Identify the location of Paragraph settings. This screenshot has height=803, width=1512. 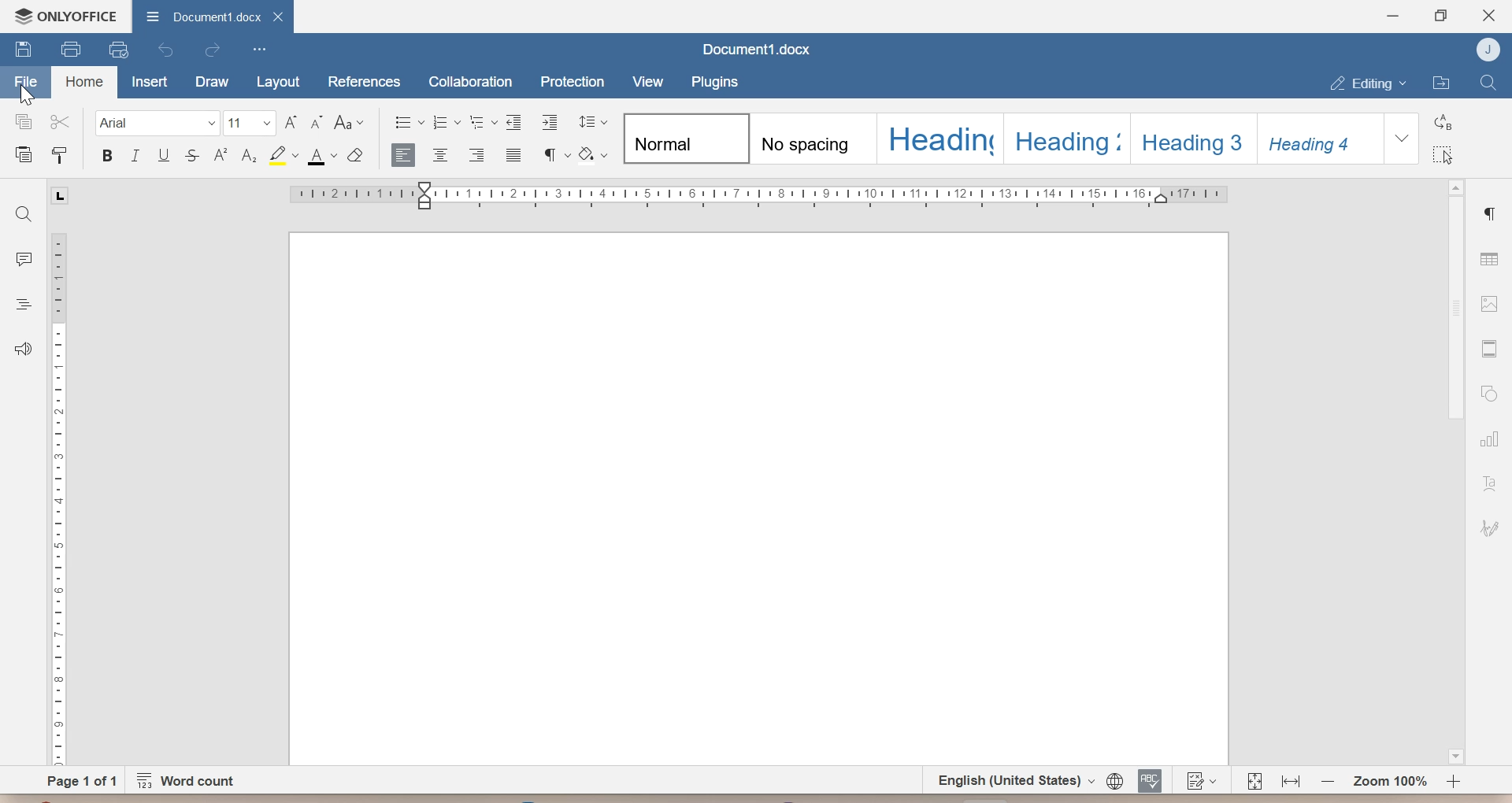
(1493, 213).